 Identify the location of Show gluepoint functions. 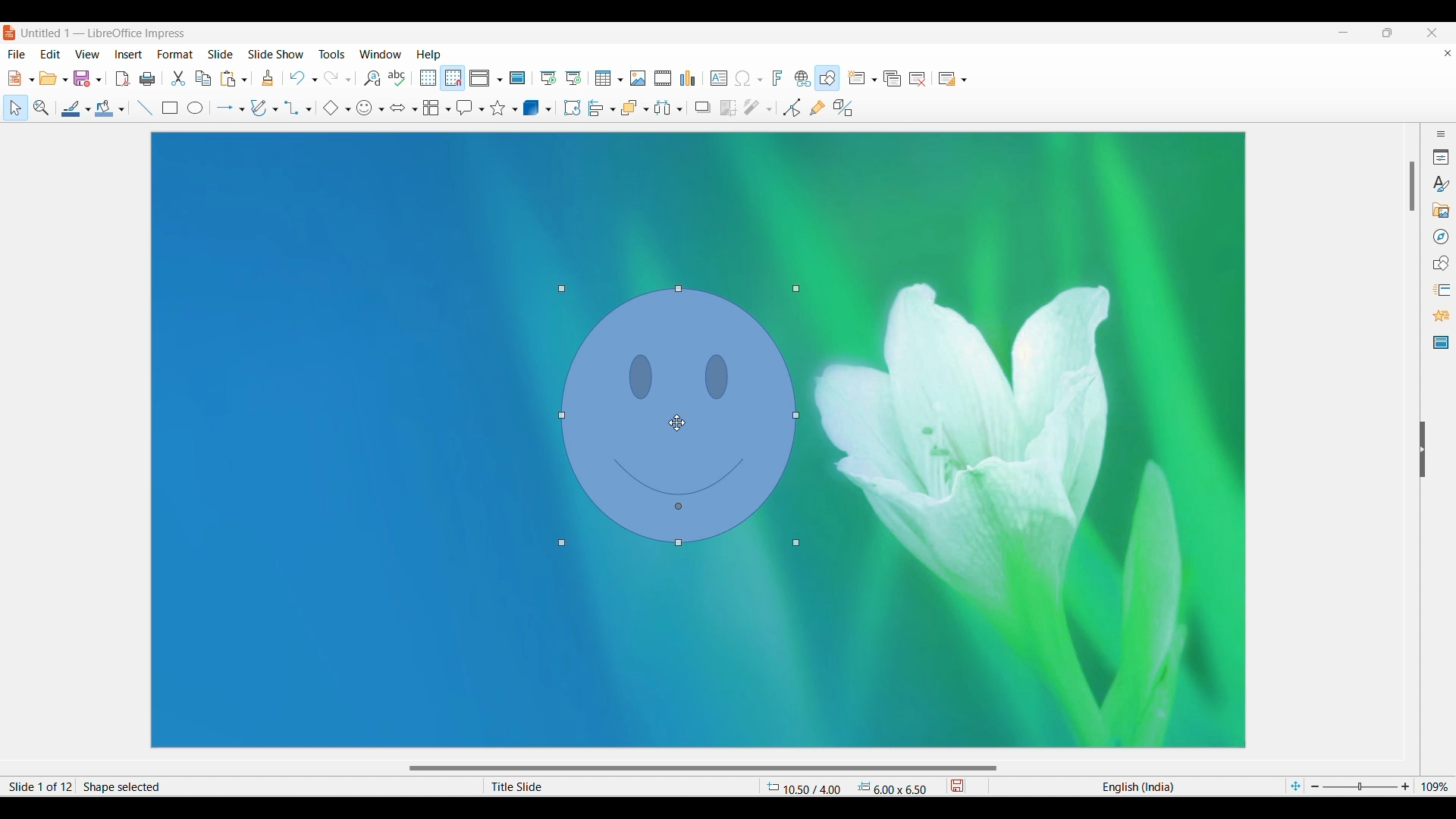
(817, 108).